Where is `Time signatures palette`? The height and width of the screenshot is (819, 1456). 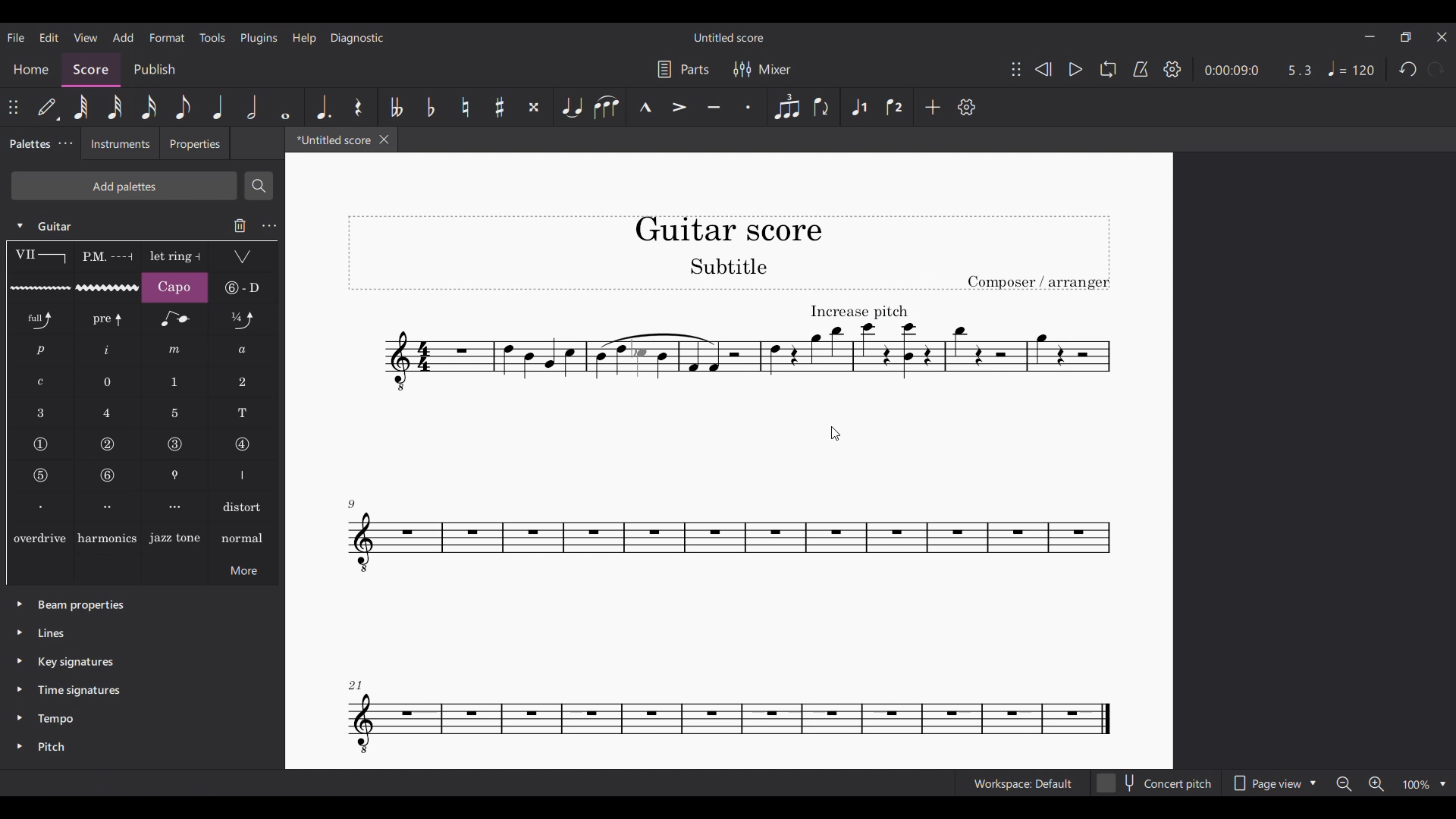 Time signatures palette is located at coordinates (79, 690).